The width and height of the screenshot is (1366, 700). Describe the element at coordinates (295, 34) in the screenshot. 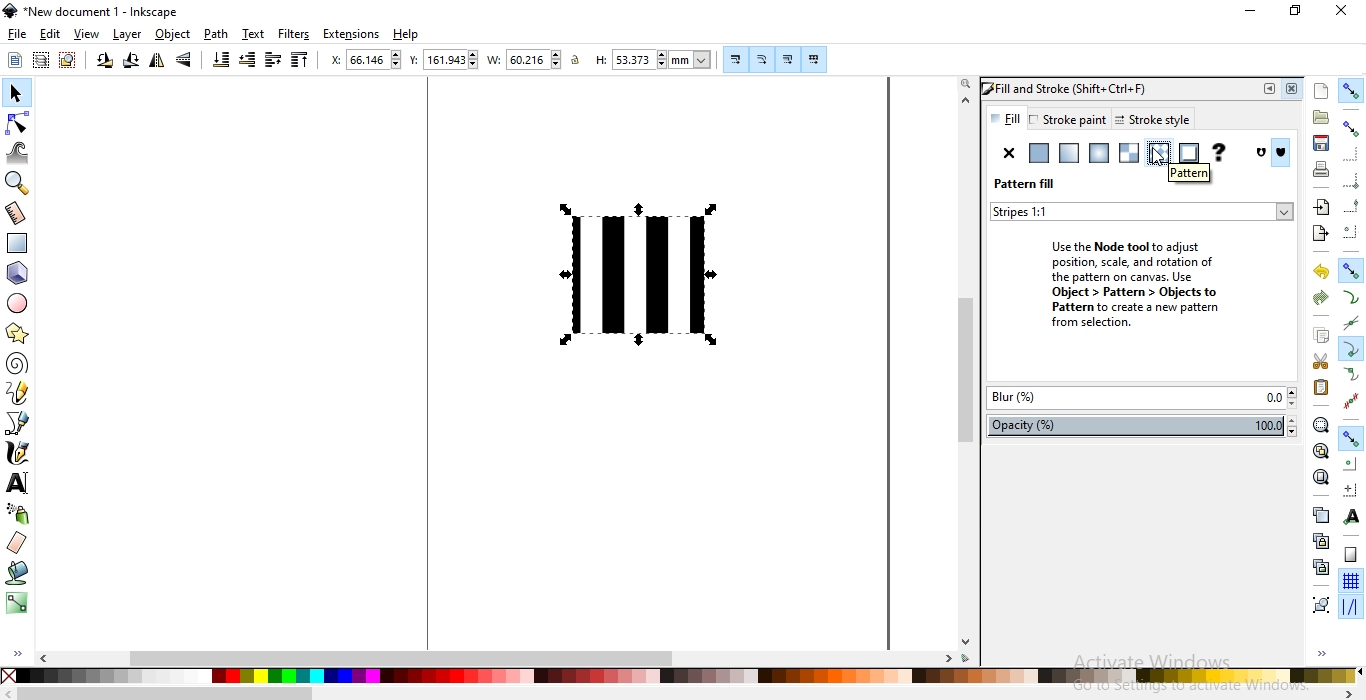

I see `filters` at that location.